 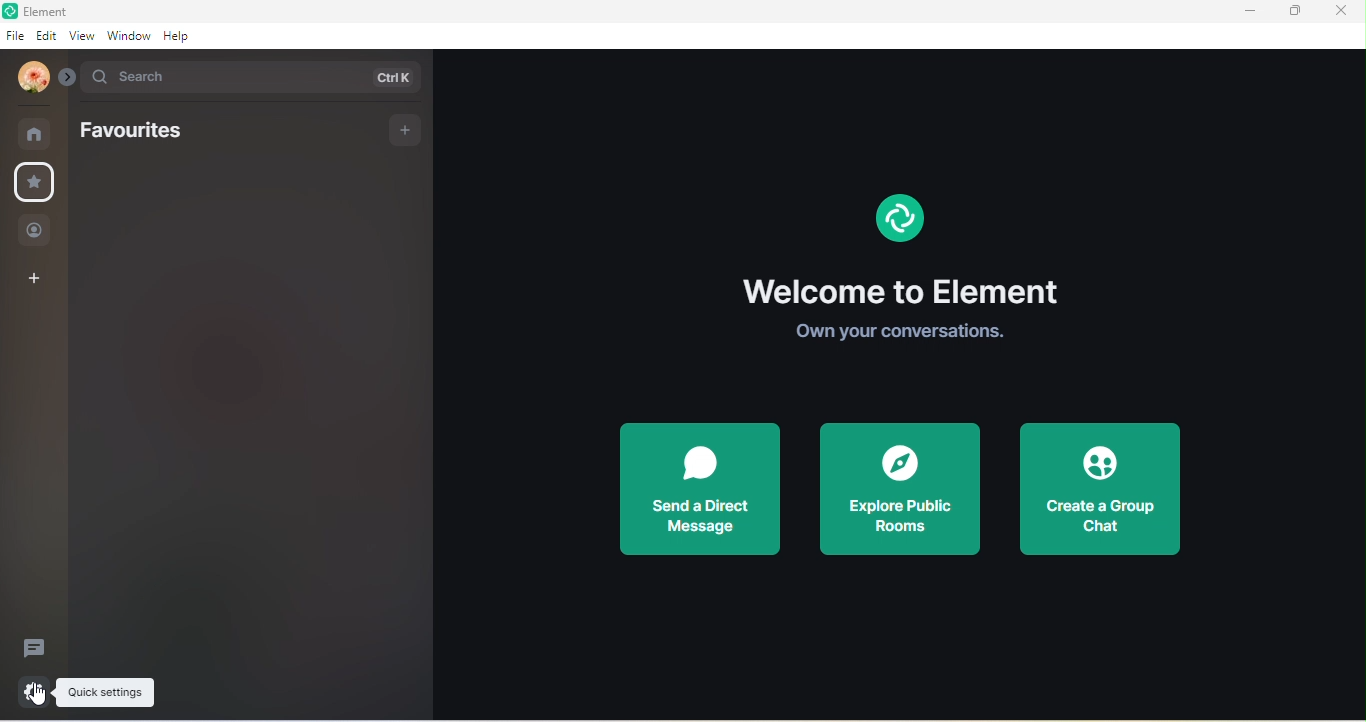 What do you see at coordinates (179, 37) in the screenshot?
I see `help` at bounding box center [179, 37].